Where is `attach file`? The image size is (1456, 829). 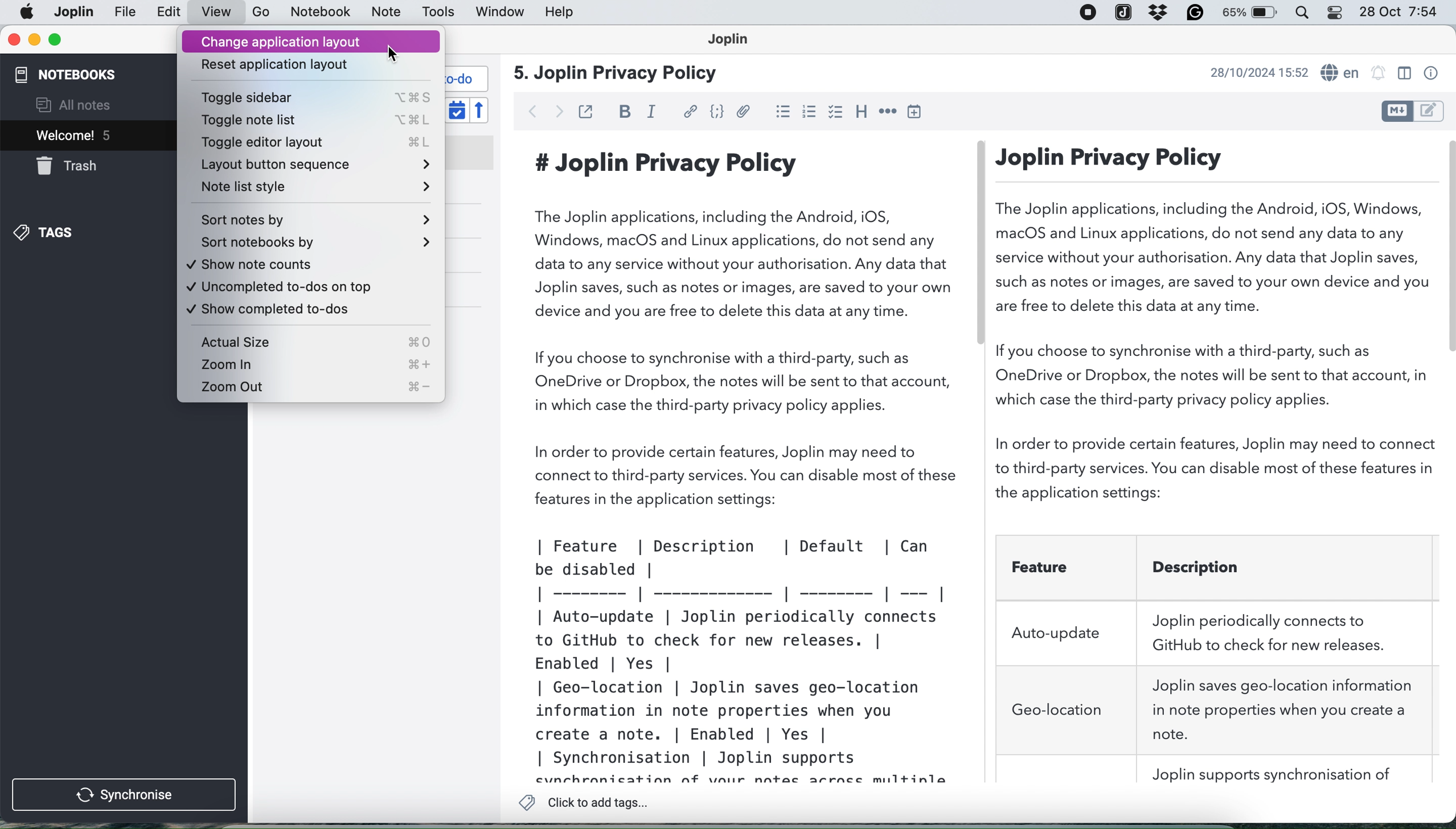 attach file is located at coordinates (745, 113).